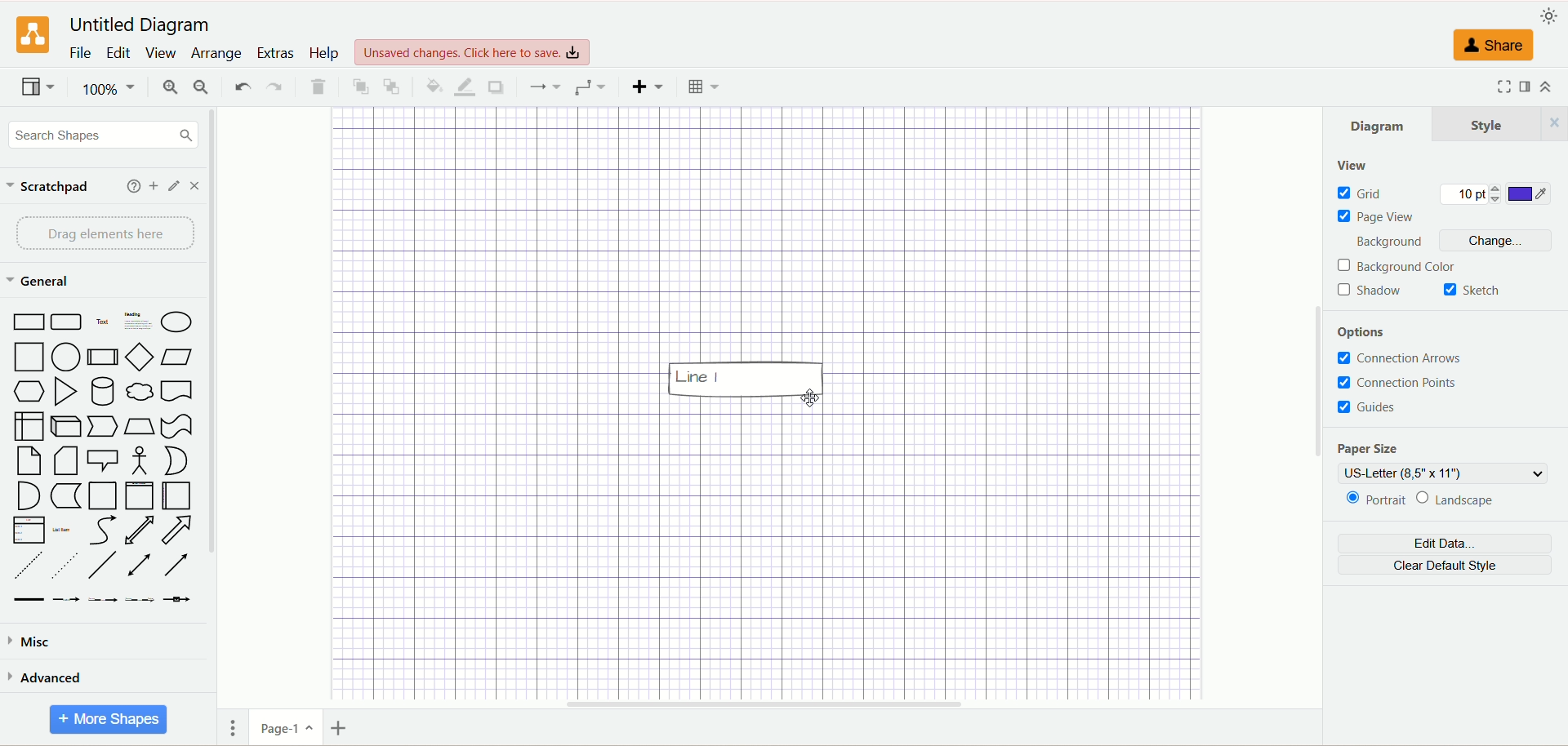  What do you see at coordinates (341, 726) in the screenshot?
I see `insert page` at bounding box center [341, 726].